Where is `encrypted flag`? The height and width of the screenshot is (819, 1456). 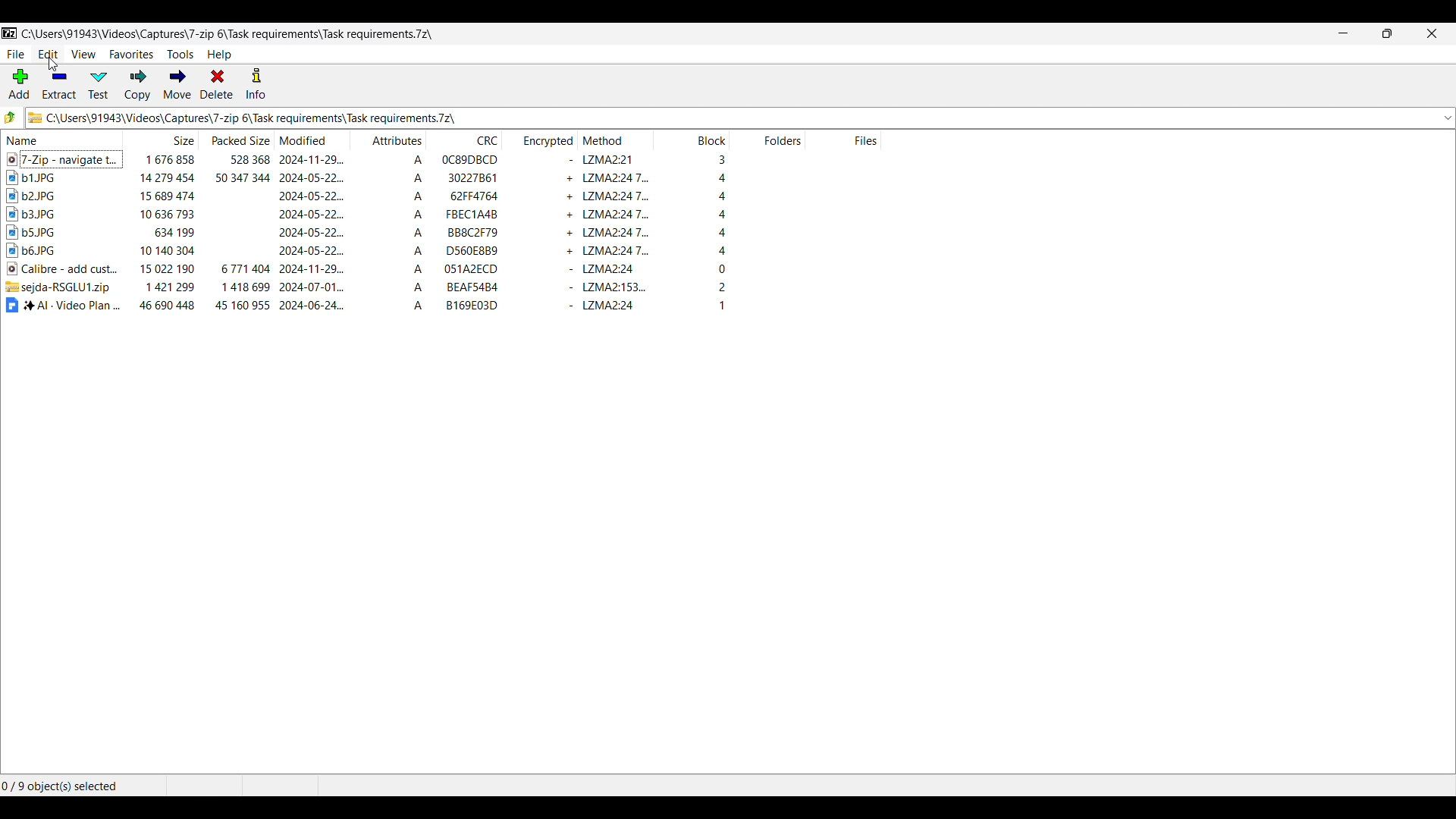
encrypted flag is located at coordinates (547, 236).